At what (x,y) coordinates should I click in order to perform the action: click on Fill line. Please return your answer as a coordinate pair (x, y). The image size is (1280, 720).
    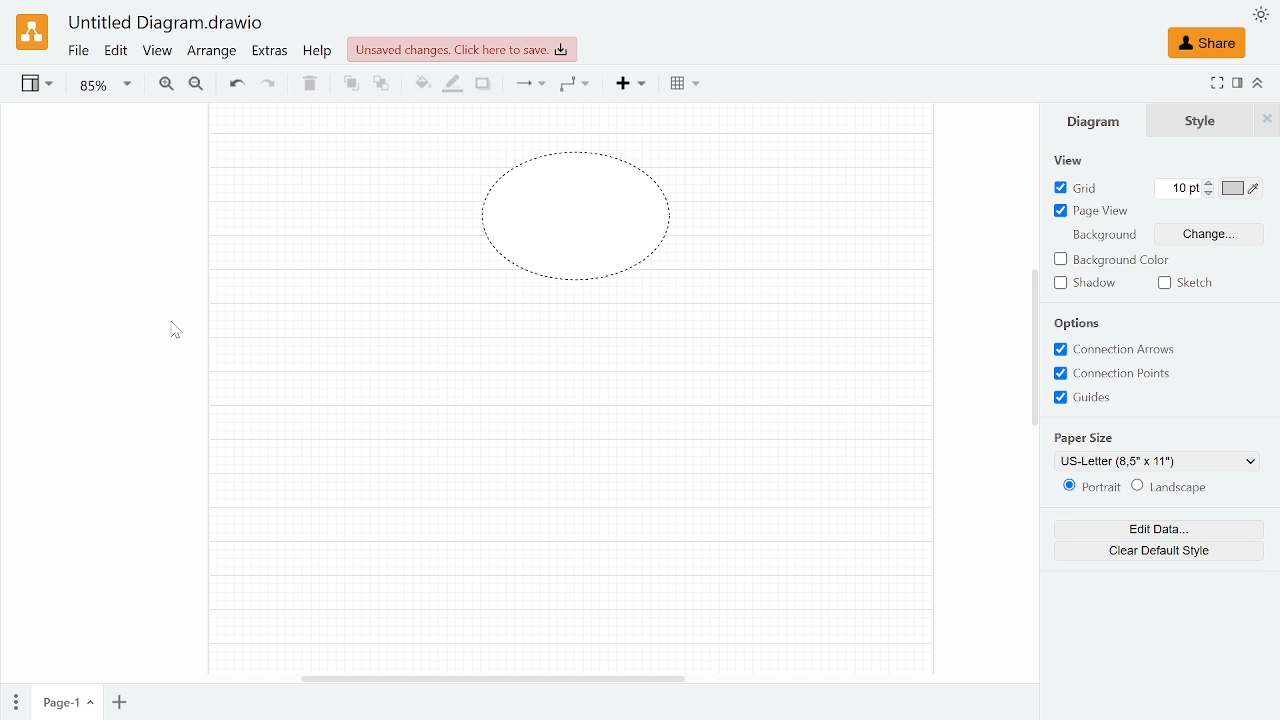
    Looking at the image, I should click on (450, 85).